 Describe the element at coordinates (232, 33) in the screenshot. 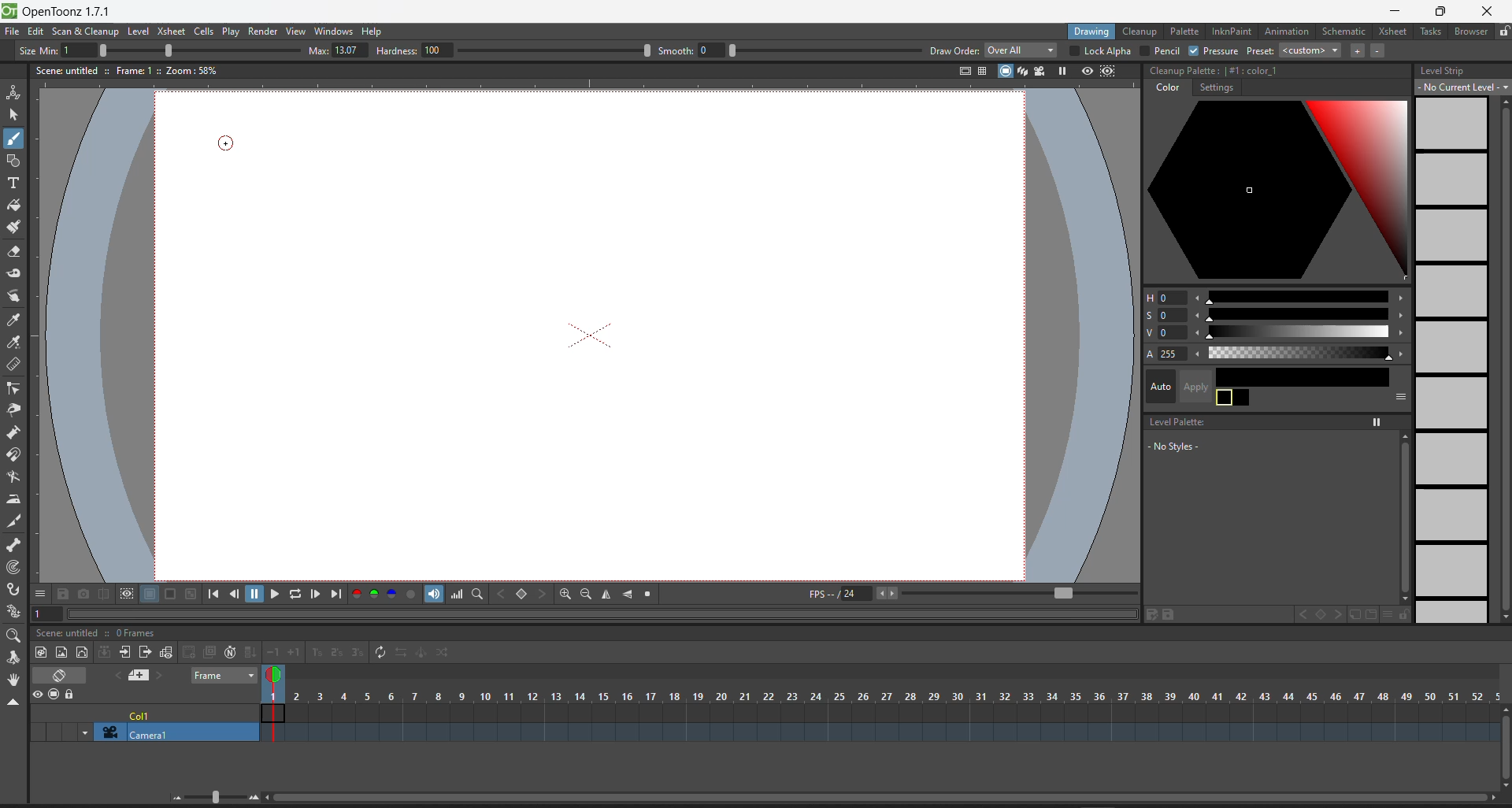

I see `play` at that location.